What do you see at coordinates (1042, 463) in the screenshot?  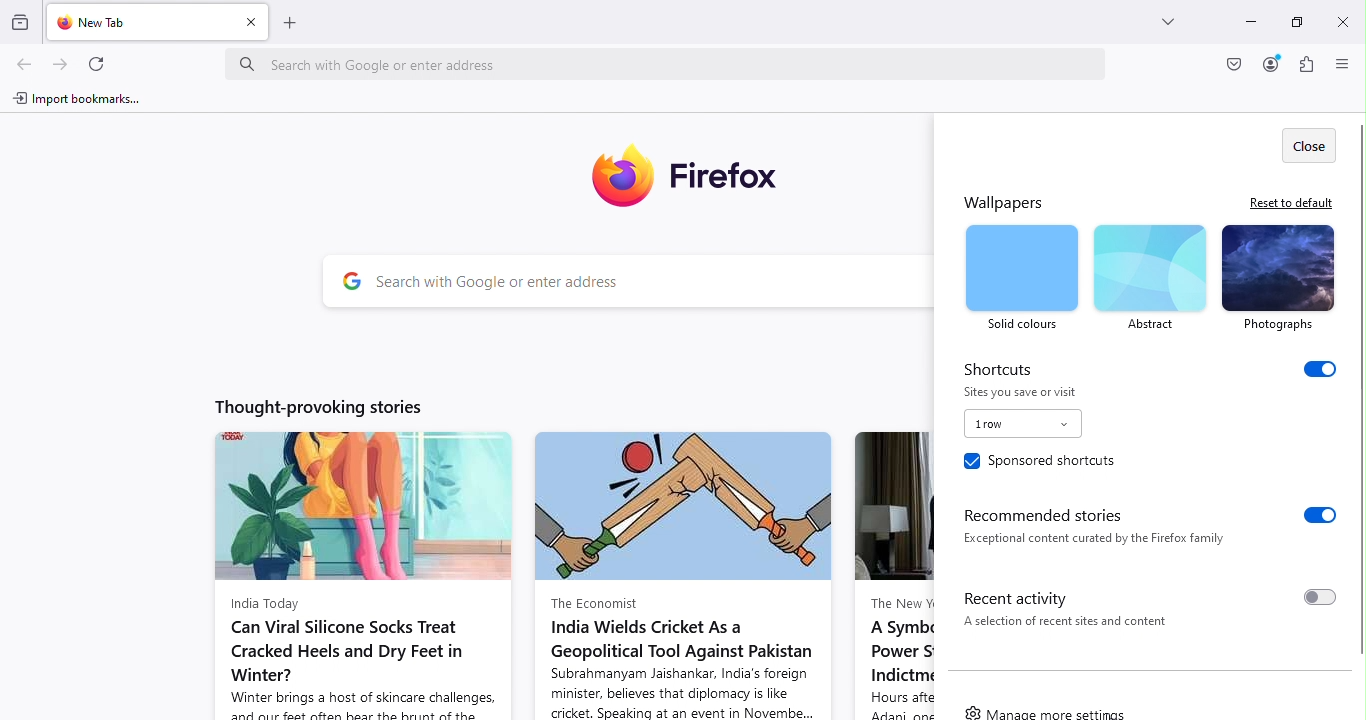 I see `Sponsored shortcuts` at bounding box center [1042, 463].